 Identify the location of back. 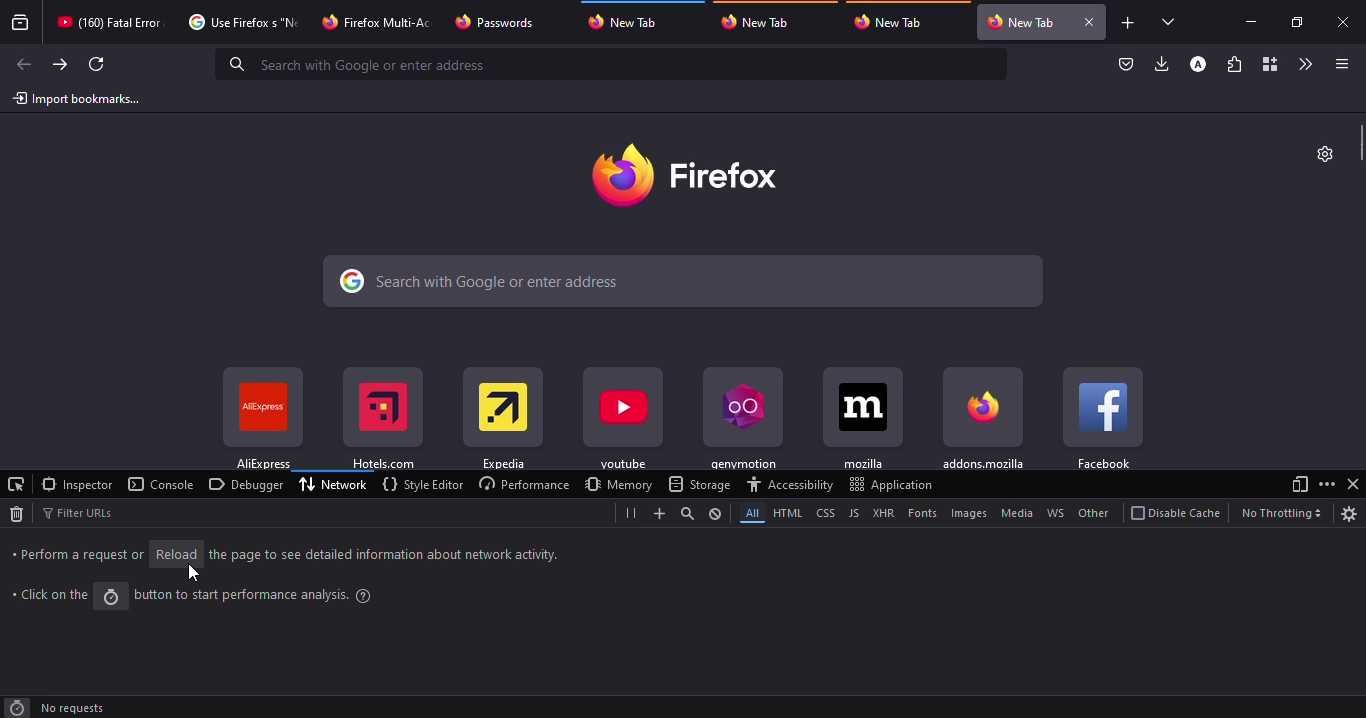
(24, 64).